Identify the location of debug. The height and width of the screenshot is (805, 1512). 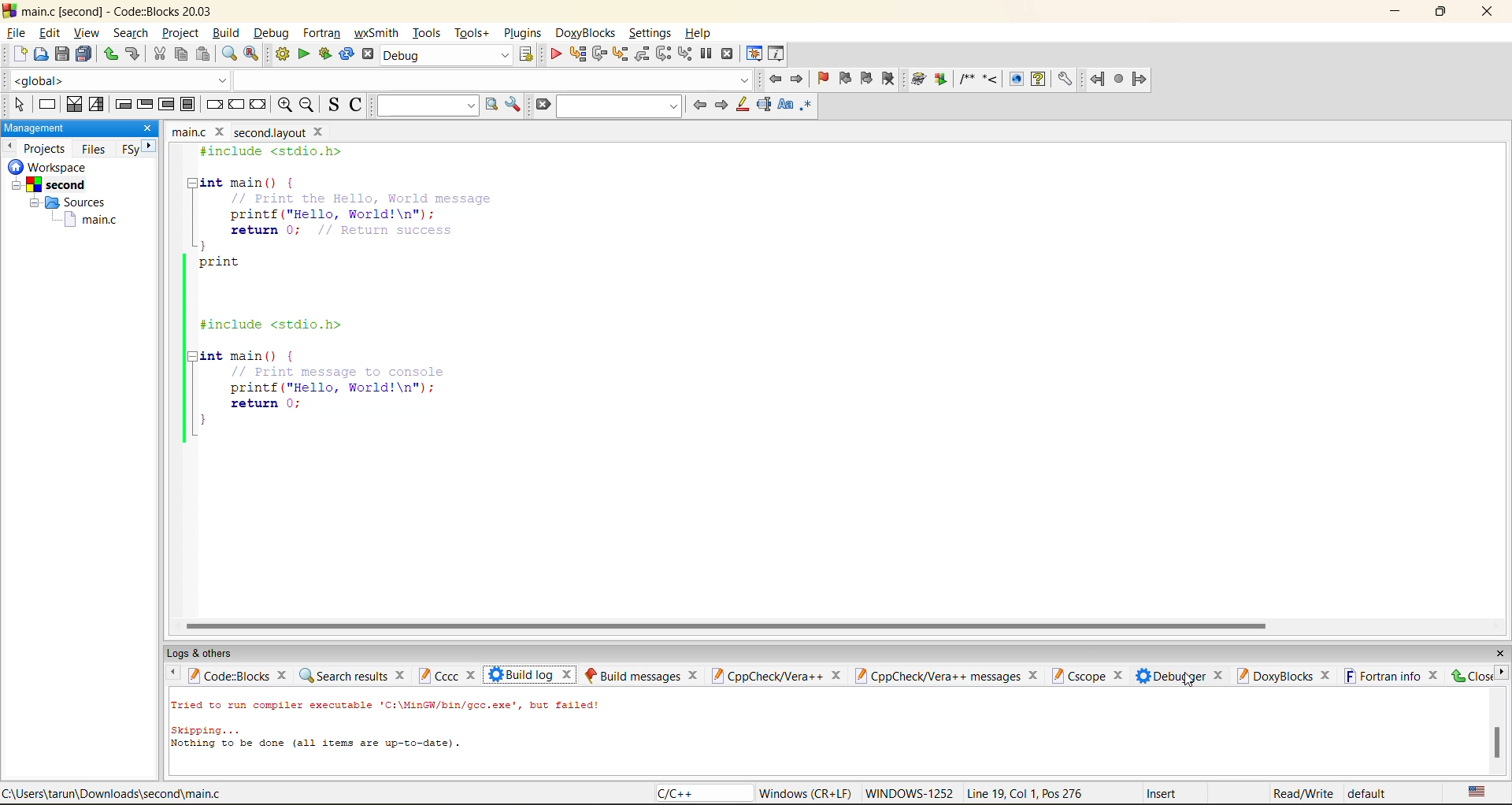
(556, 54).